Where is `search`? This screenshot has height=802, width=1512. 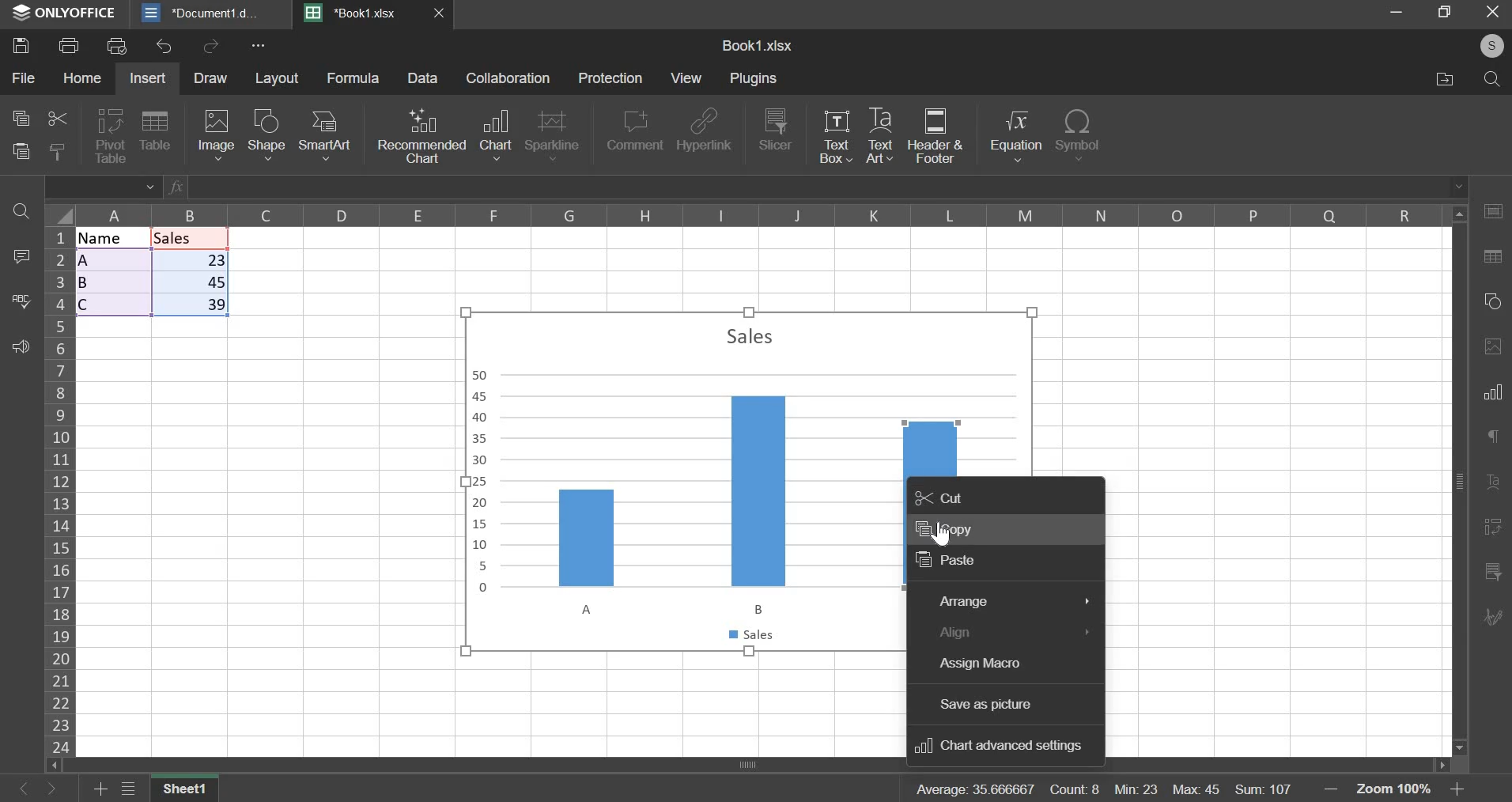
search is located at coordinates (1492, 84).